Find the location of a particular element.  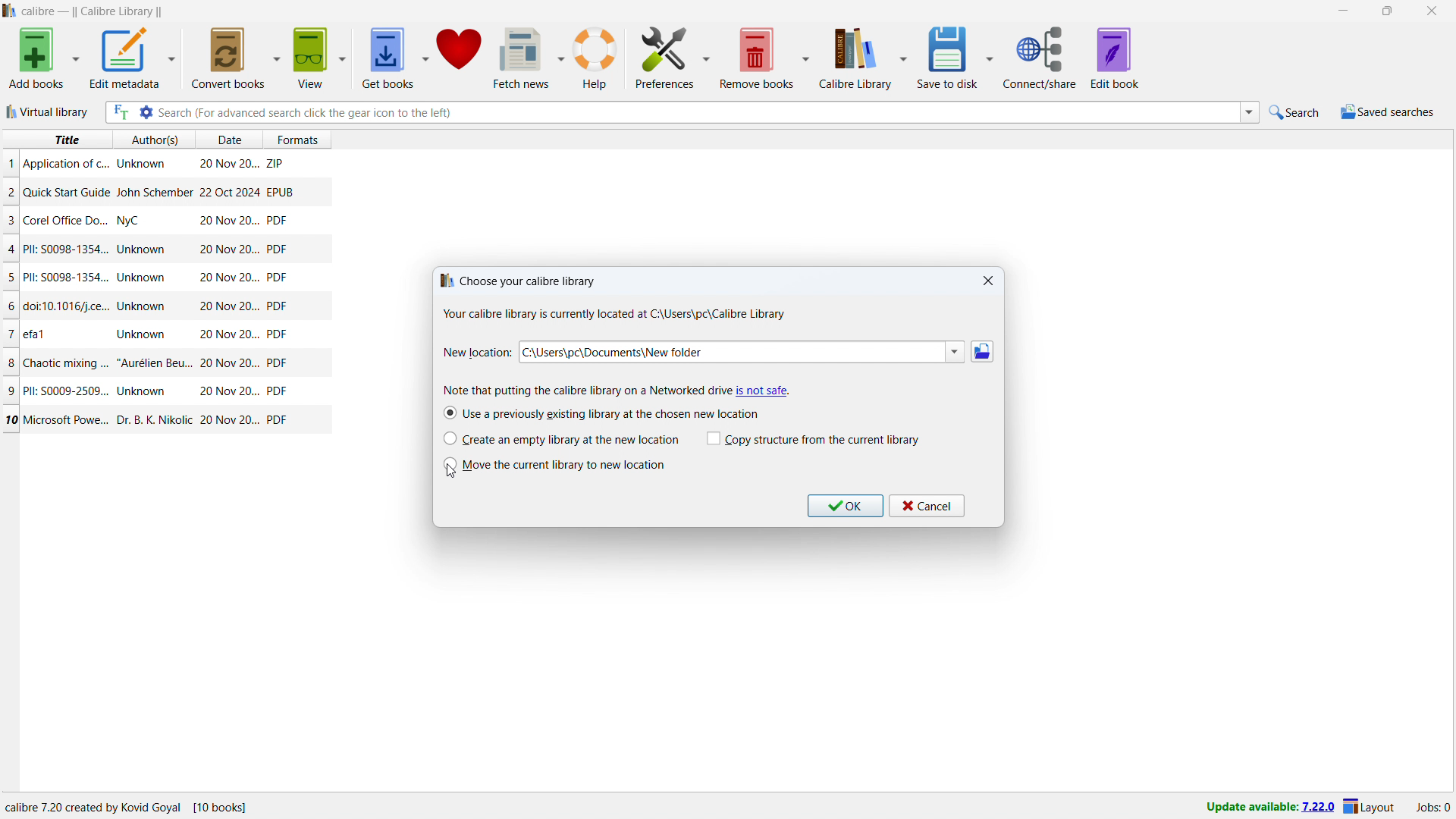

Note is located at coordinates (580, 390).